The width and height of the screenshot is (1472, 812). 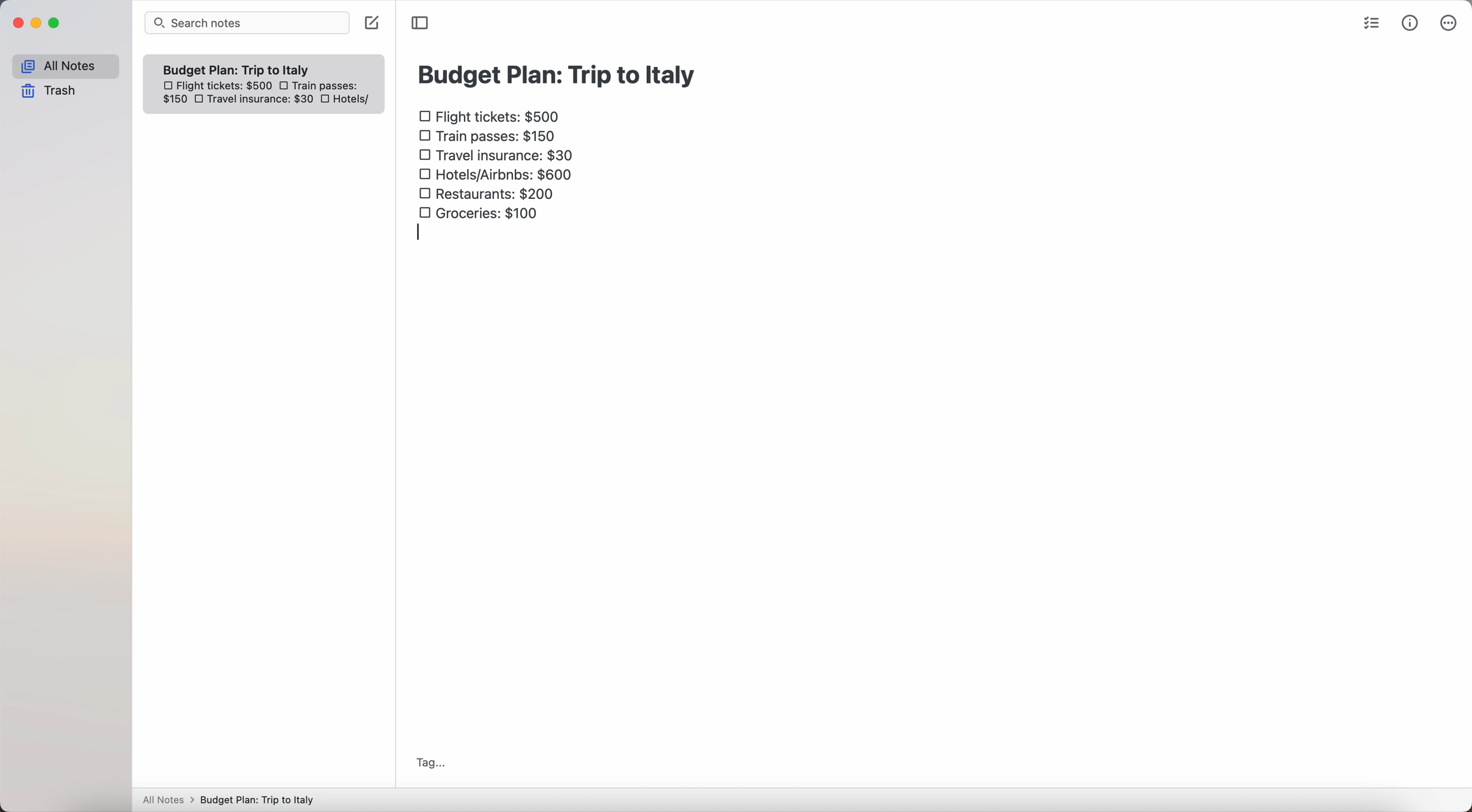 I want to click on All notes > Budget Plan: Trip to Italy, so click(x=234, y=799).